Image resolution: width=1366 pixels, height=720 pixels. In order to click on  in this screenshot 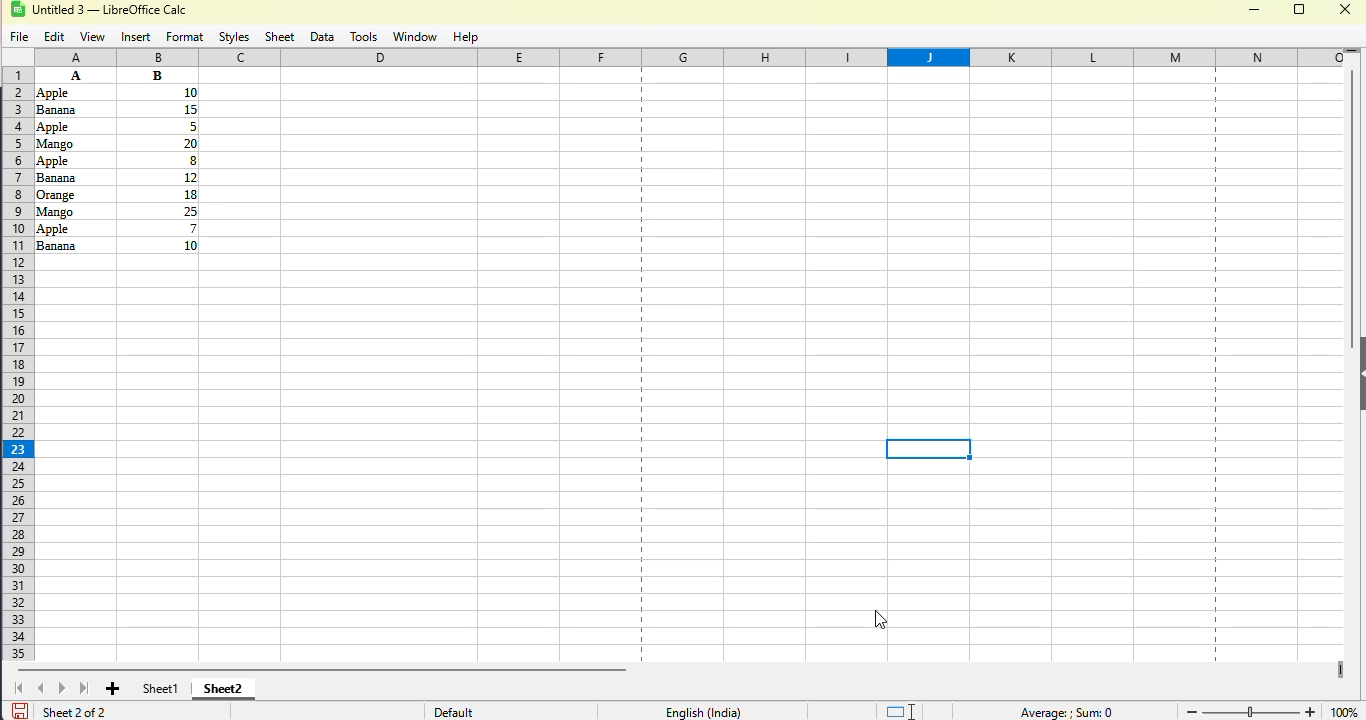, I will do `click(73, 178)`.